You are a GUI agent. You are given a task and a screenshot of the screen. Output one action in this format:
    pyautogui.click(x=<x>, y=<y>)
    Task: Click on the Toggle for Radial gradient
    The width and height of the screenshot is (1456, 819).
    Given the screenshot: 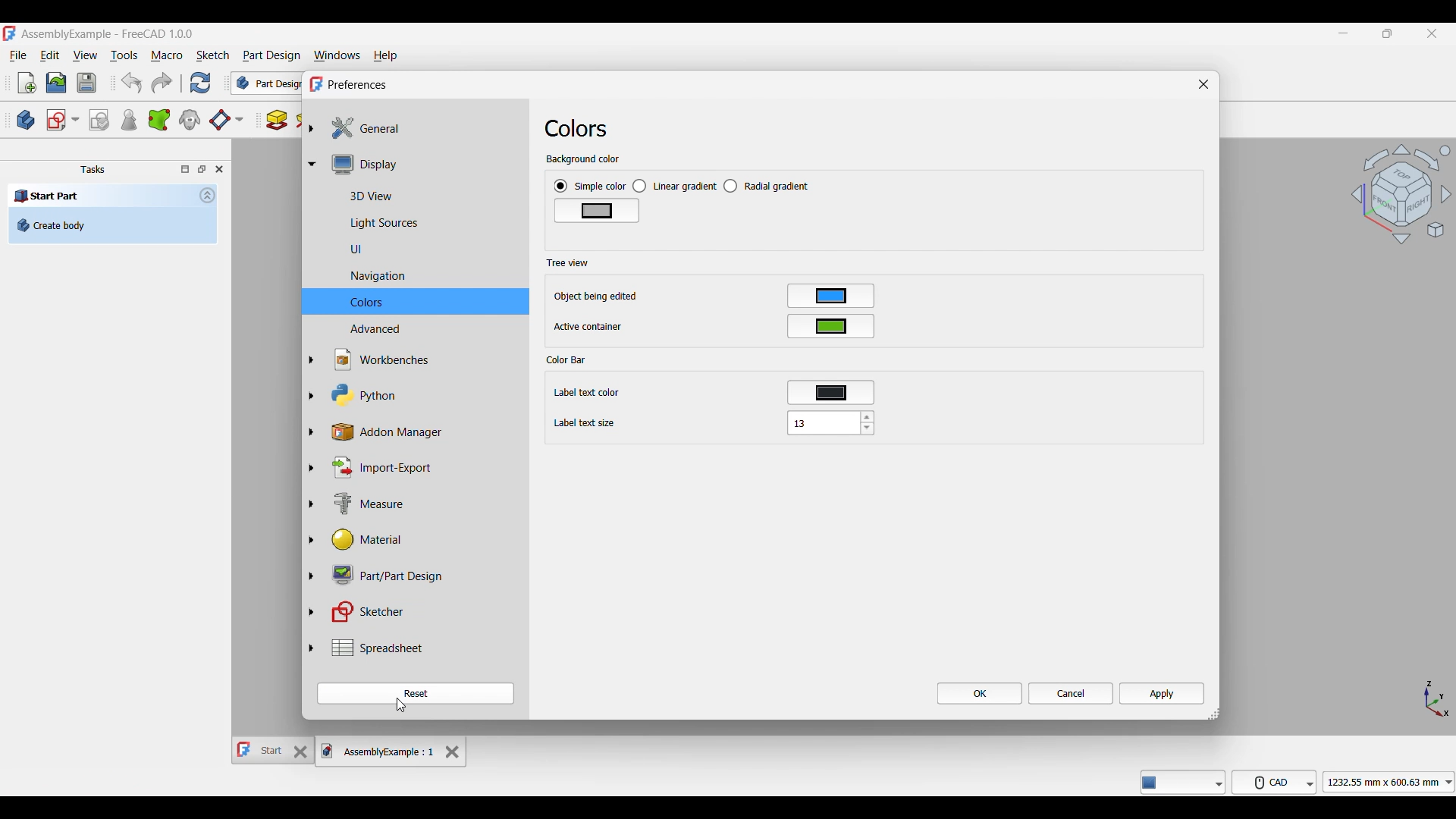 What is the action you would take?
    pyautogui.click(x=767, y=186)
    